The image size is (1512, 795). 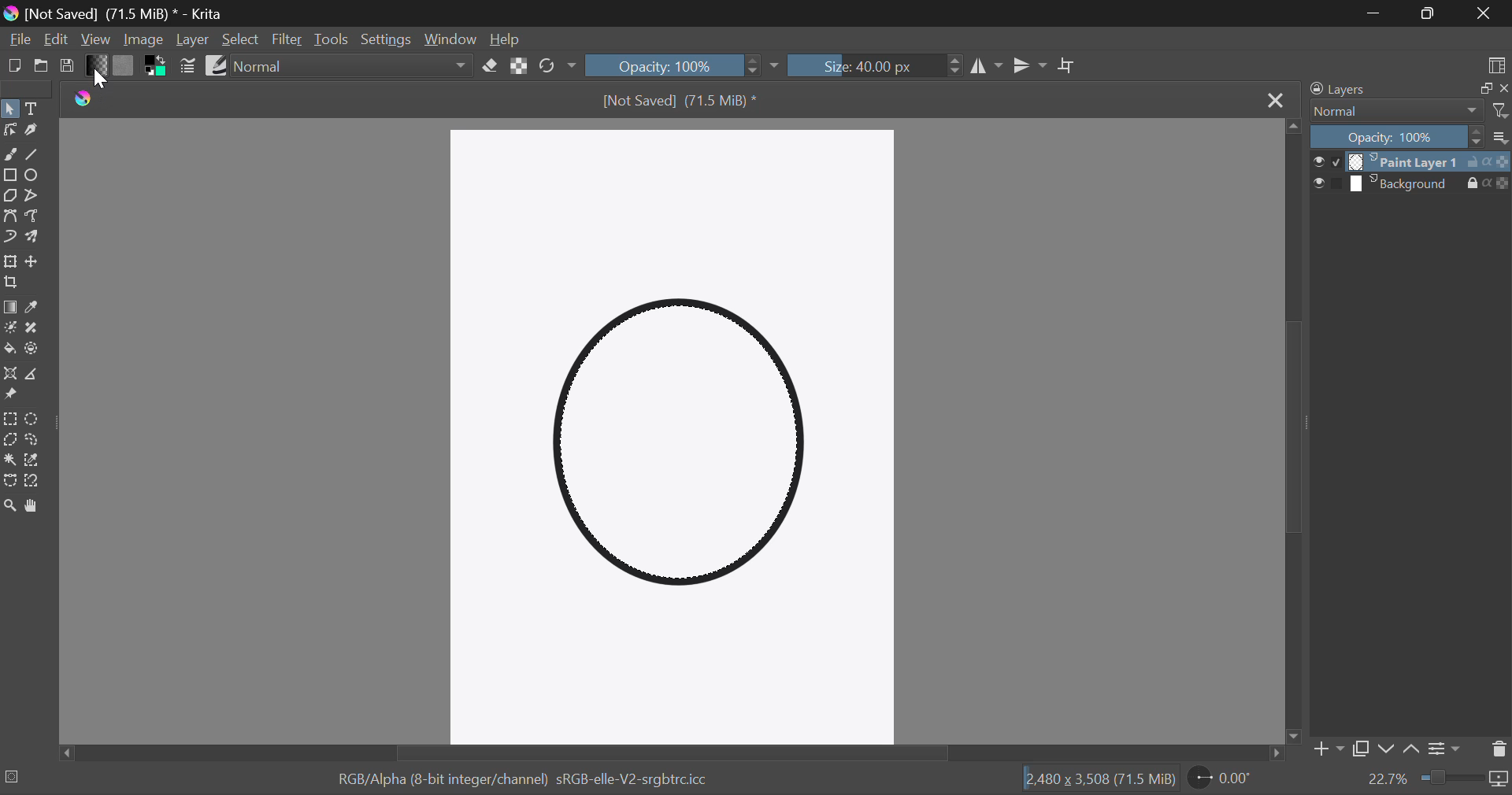 I want to click on Save, so click(x=68, y=66).